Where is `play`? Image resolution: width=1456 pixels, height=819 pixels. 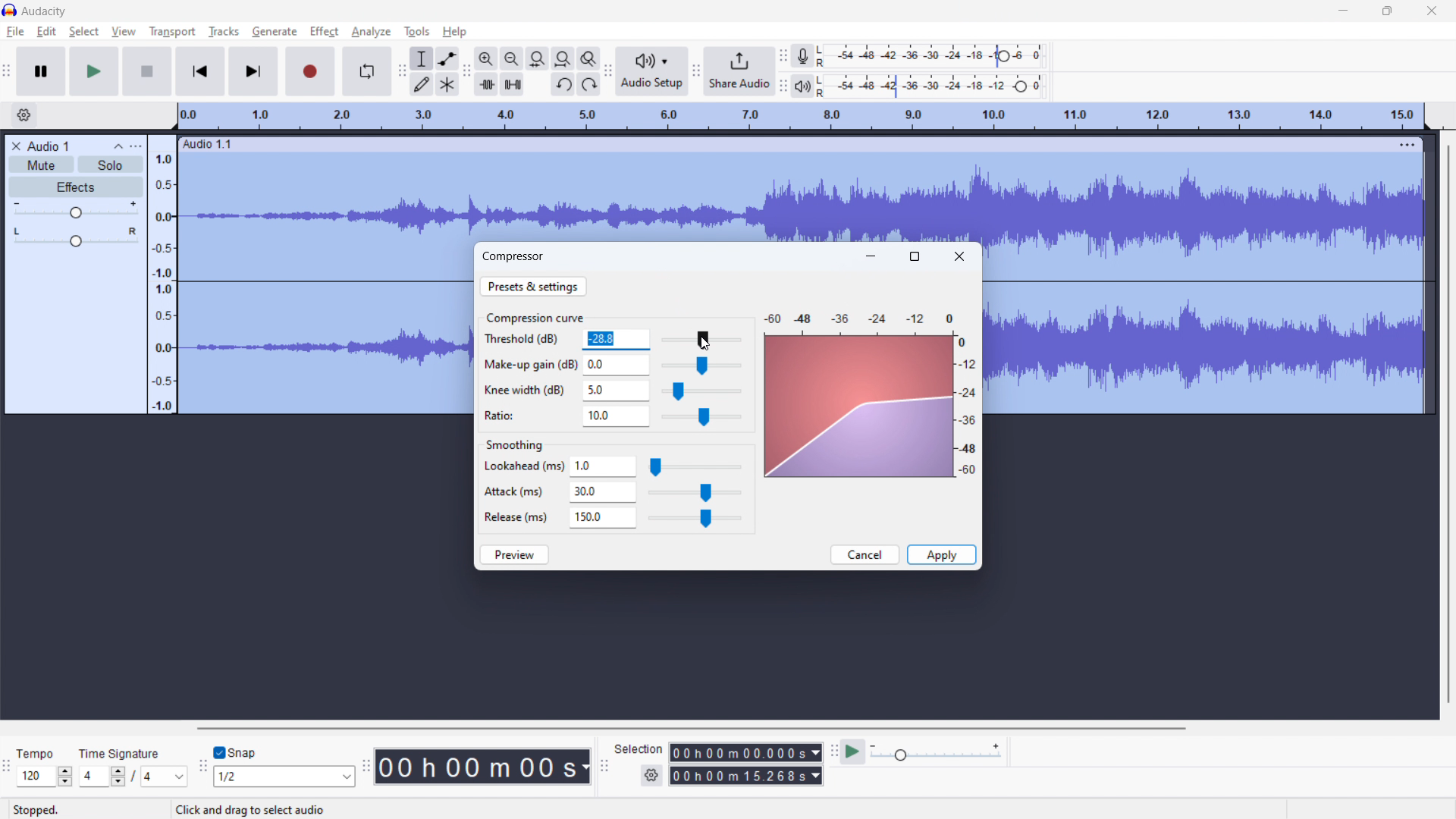 play is located at coordinates (94, 71).